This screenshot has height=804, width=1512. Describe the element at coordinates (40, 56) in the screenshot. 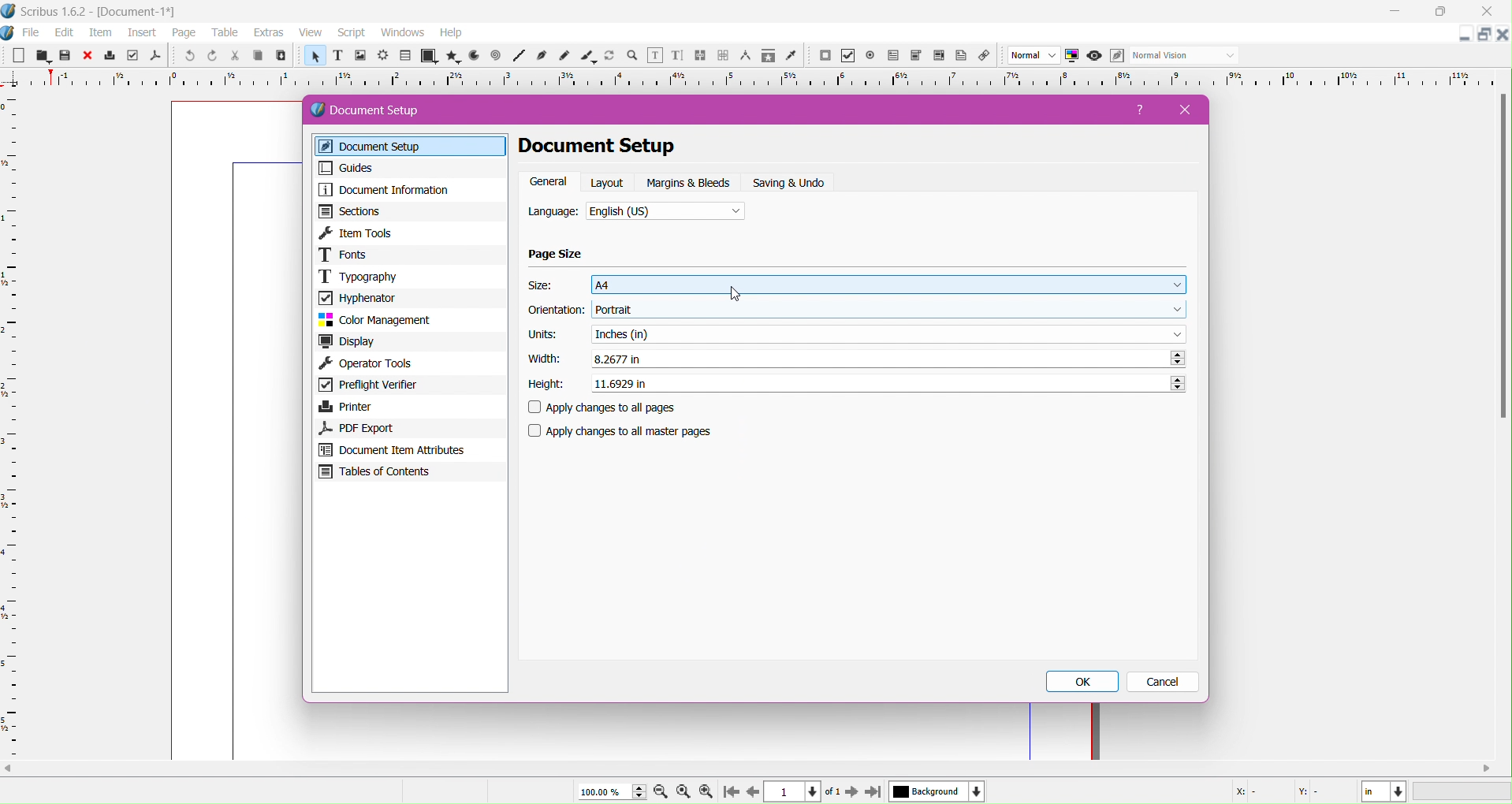

I see `open` at that location.